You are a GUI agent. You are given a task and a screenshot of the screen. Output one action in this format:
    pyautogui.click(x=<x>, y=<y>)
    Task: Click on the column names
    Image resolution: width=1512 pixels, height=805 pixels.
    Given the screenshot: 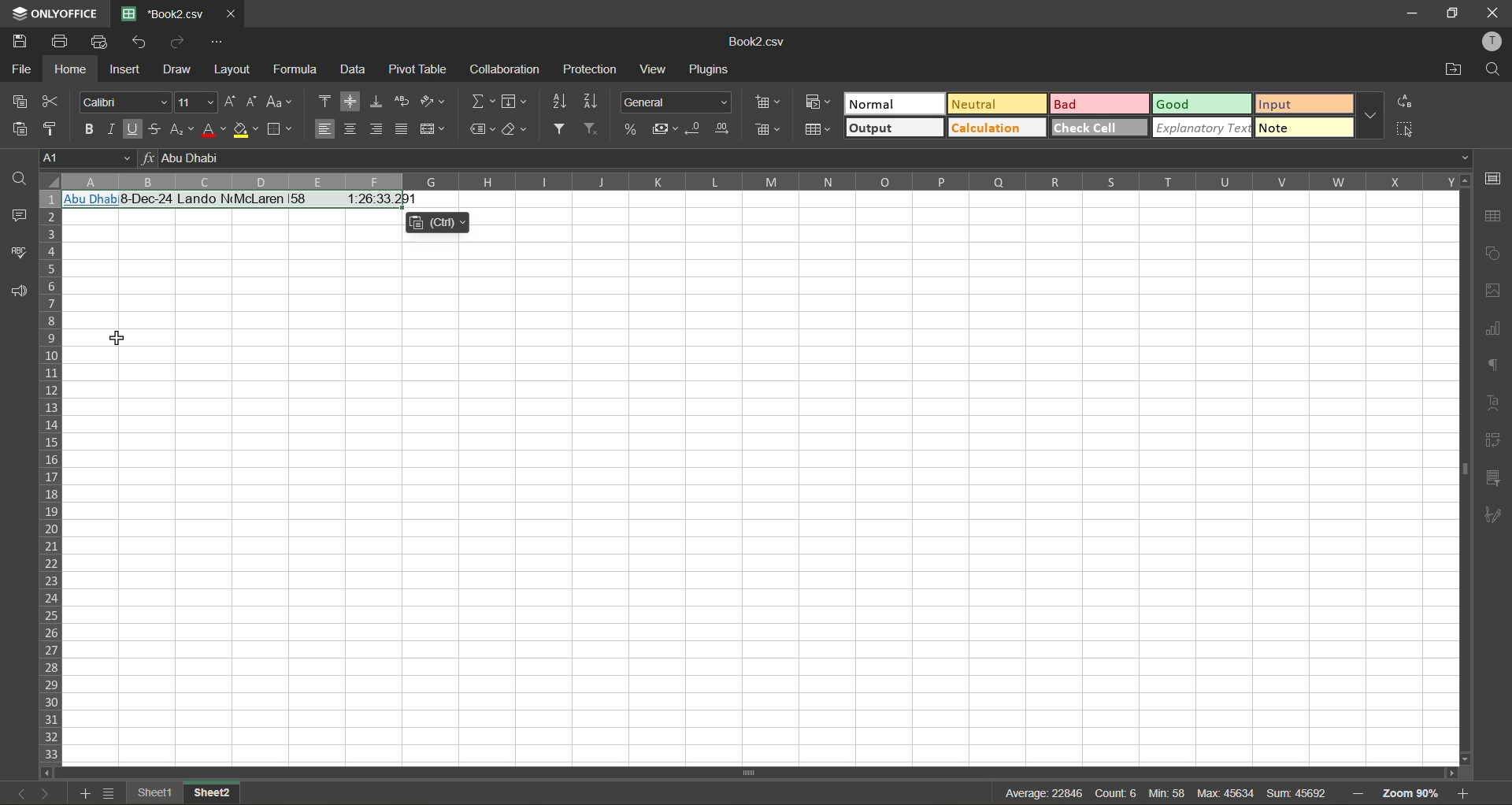 What is the action you would take?
    pyautogui.click(x=757, y=181)
    